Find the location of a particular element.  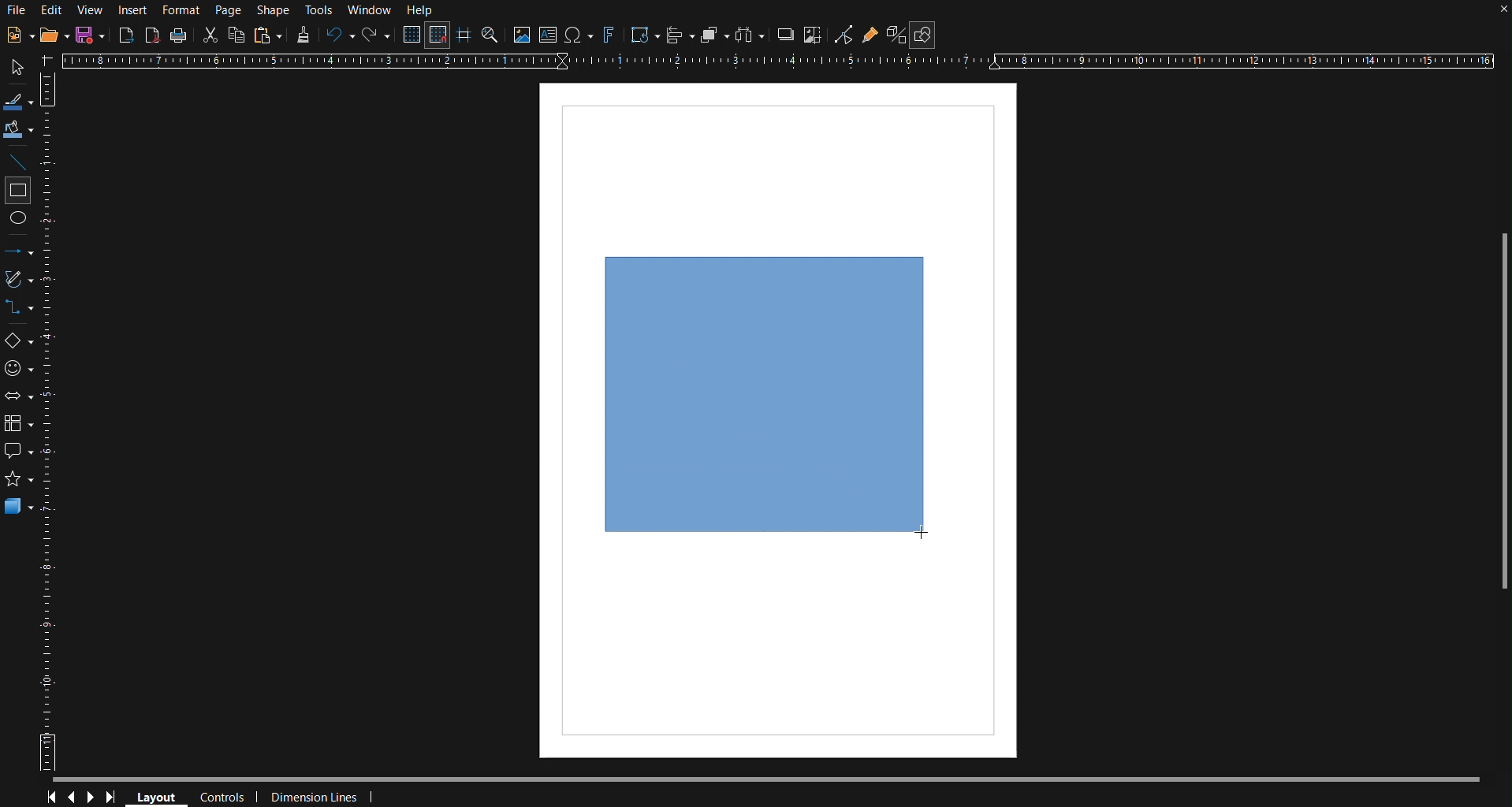

Format is located at coordinates (180, 11).